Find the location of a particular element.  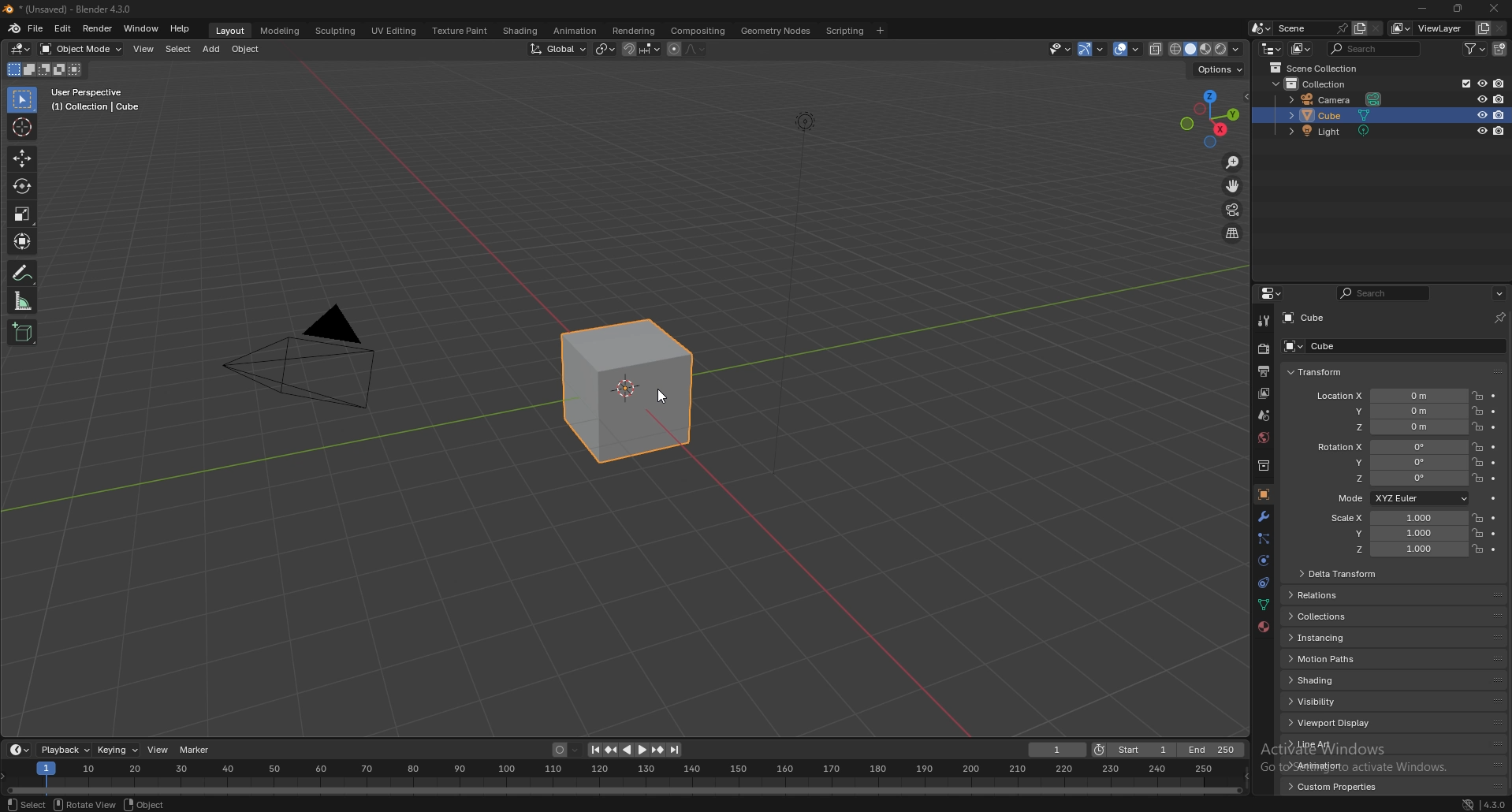

new collection is located at coordinates (1501, 49).